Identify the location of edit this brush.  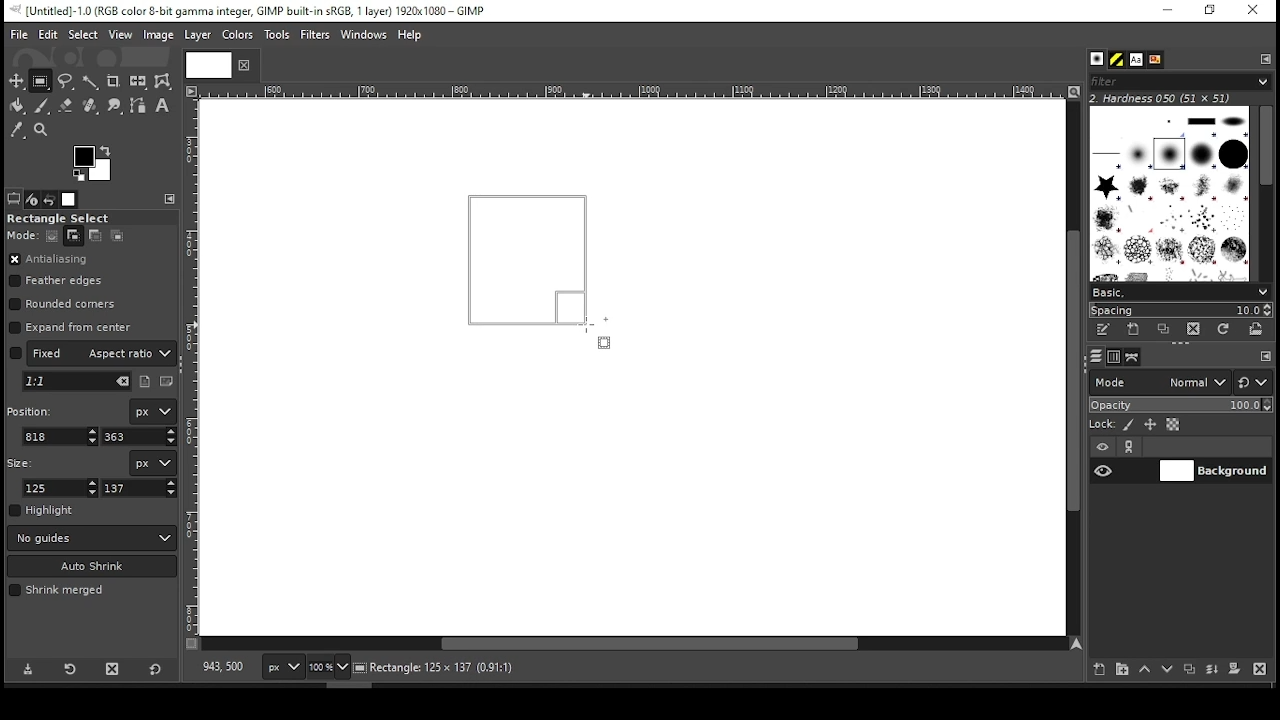
(1102, 331).